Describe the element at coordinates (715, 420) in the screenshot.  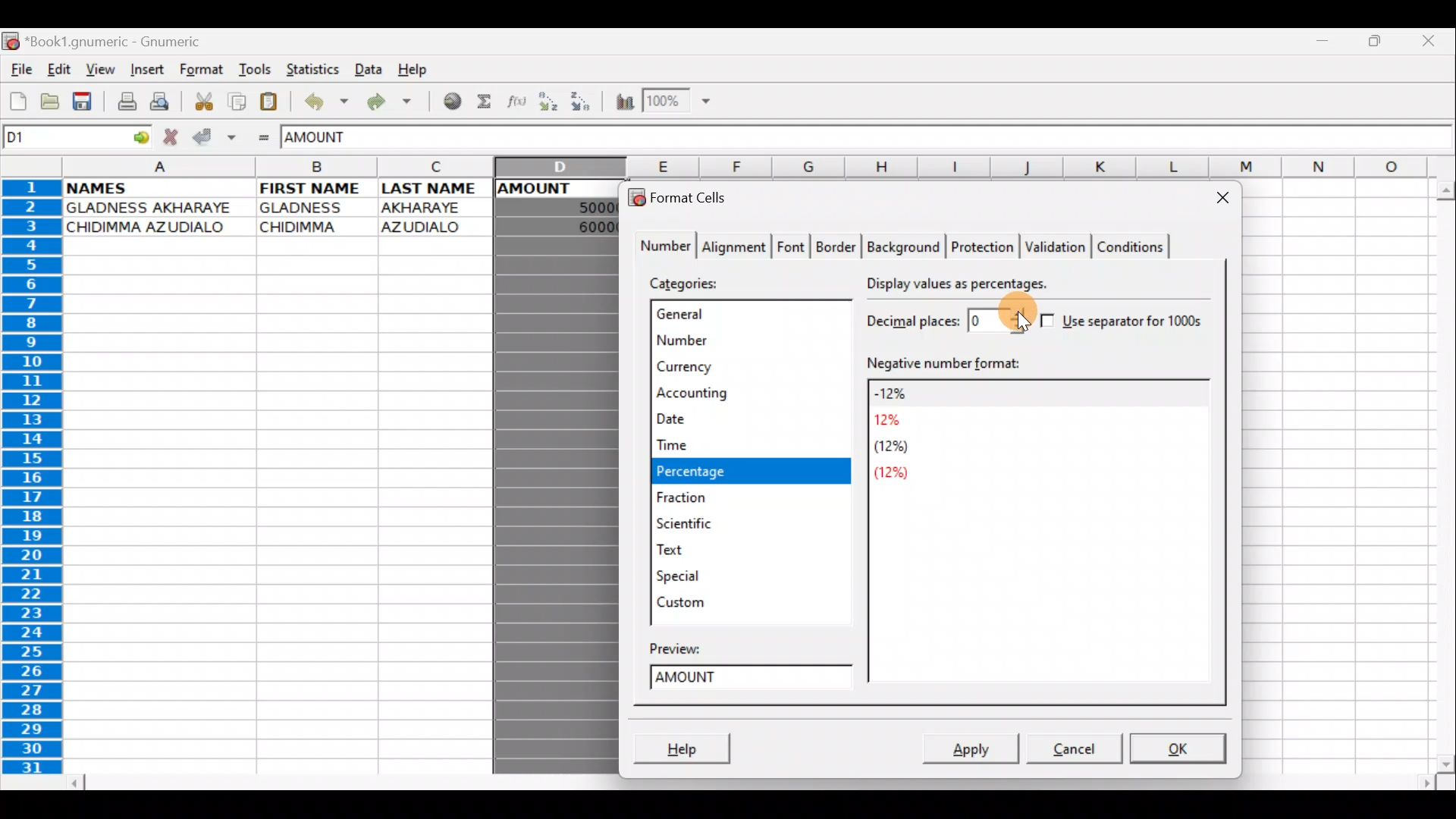
I see `Date` at that location.